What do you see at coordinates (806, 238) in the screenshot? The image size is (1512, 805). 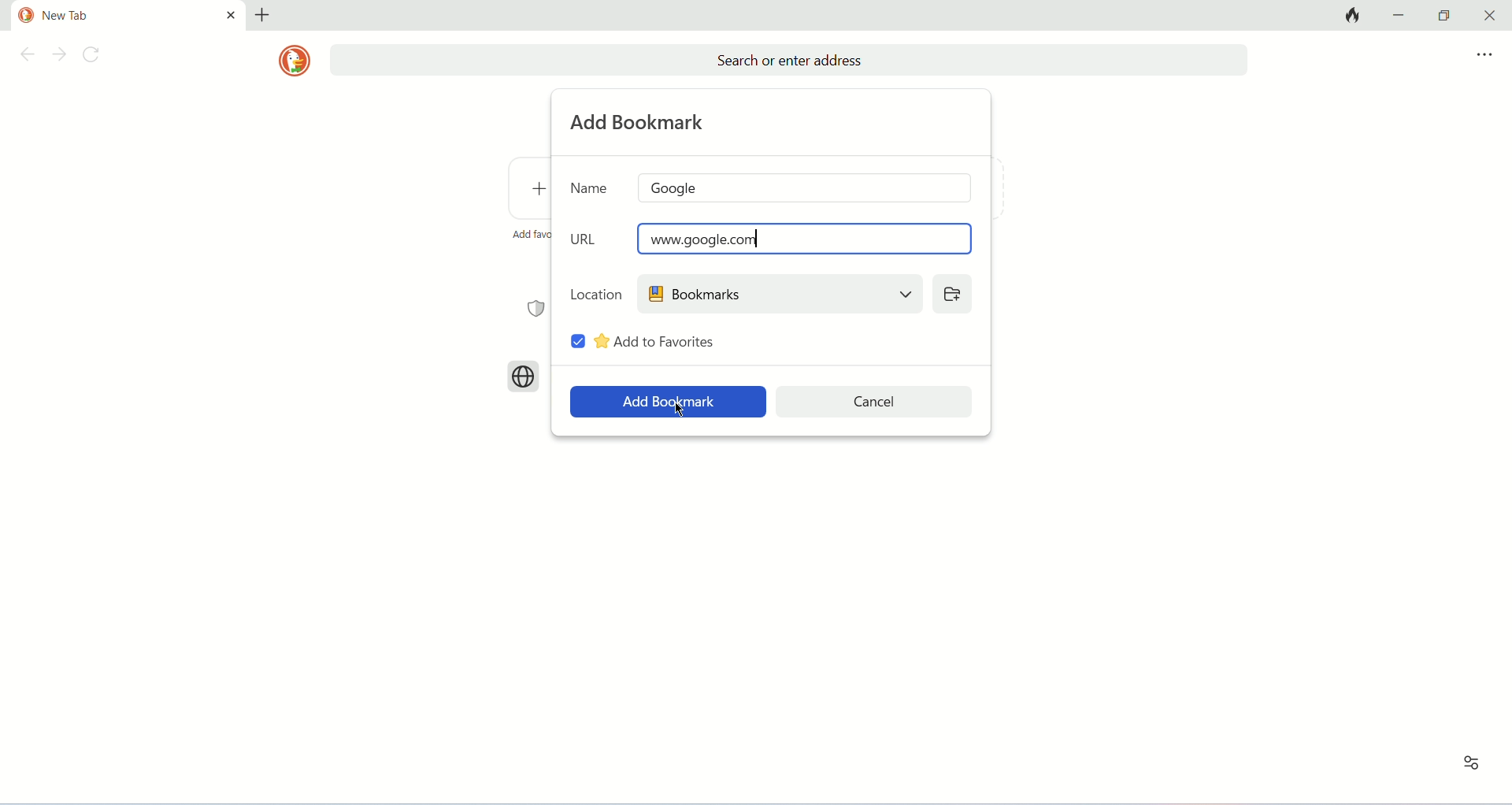 I see `URL added` at bounding box center [806, 238].